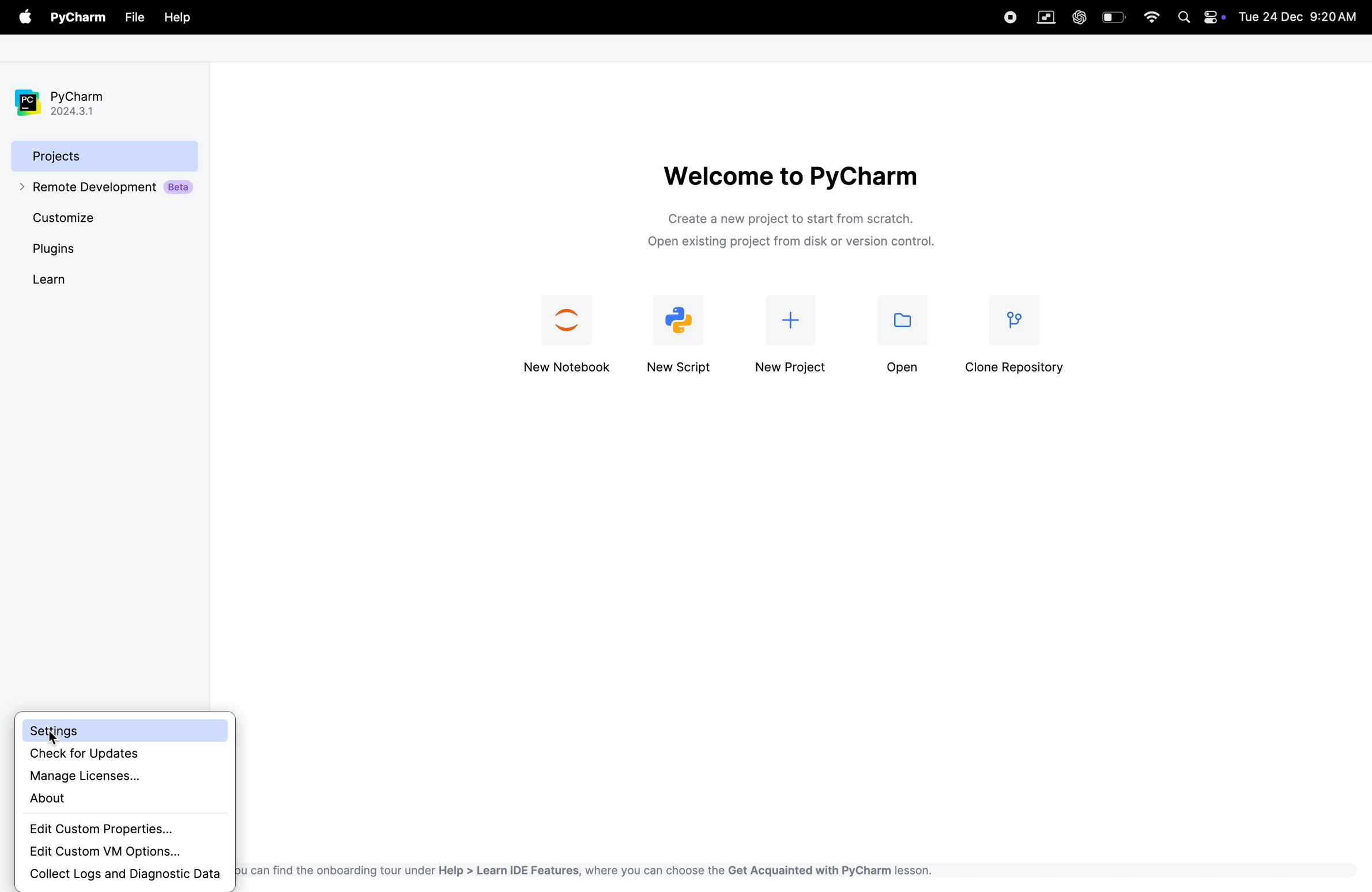  Describe the element at coordinates (27, 18) in the screenshot. I see `apple menu` at that location.